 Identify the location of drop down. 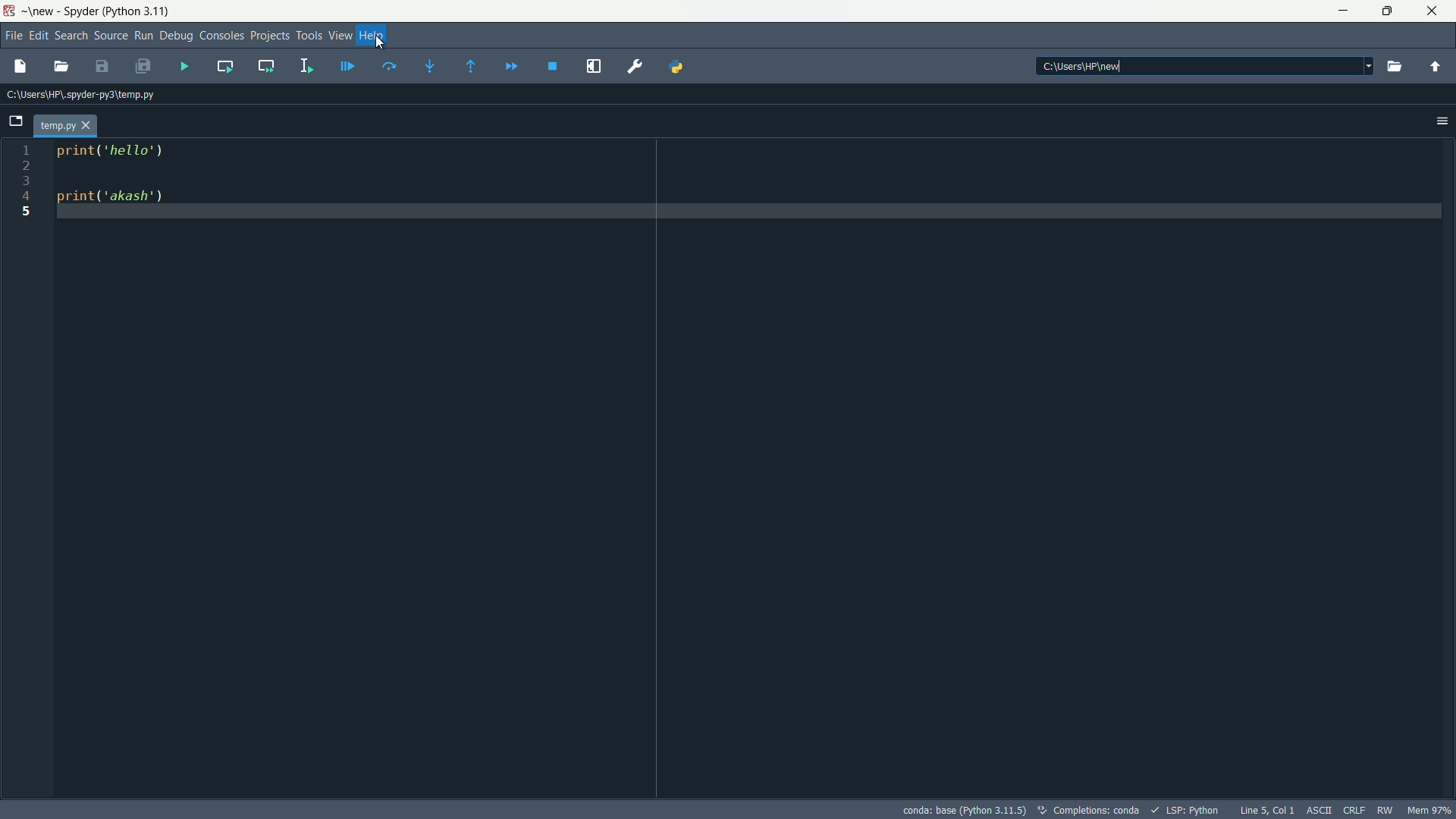
(1364, 66).